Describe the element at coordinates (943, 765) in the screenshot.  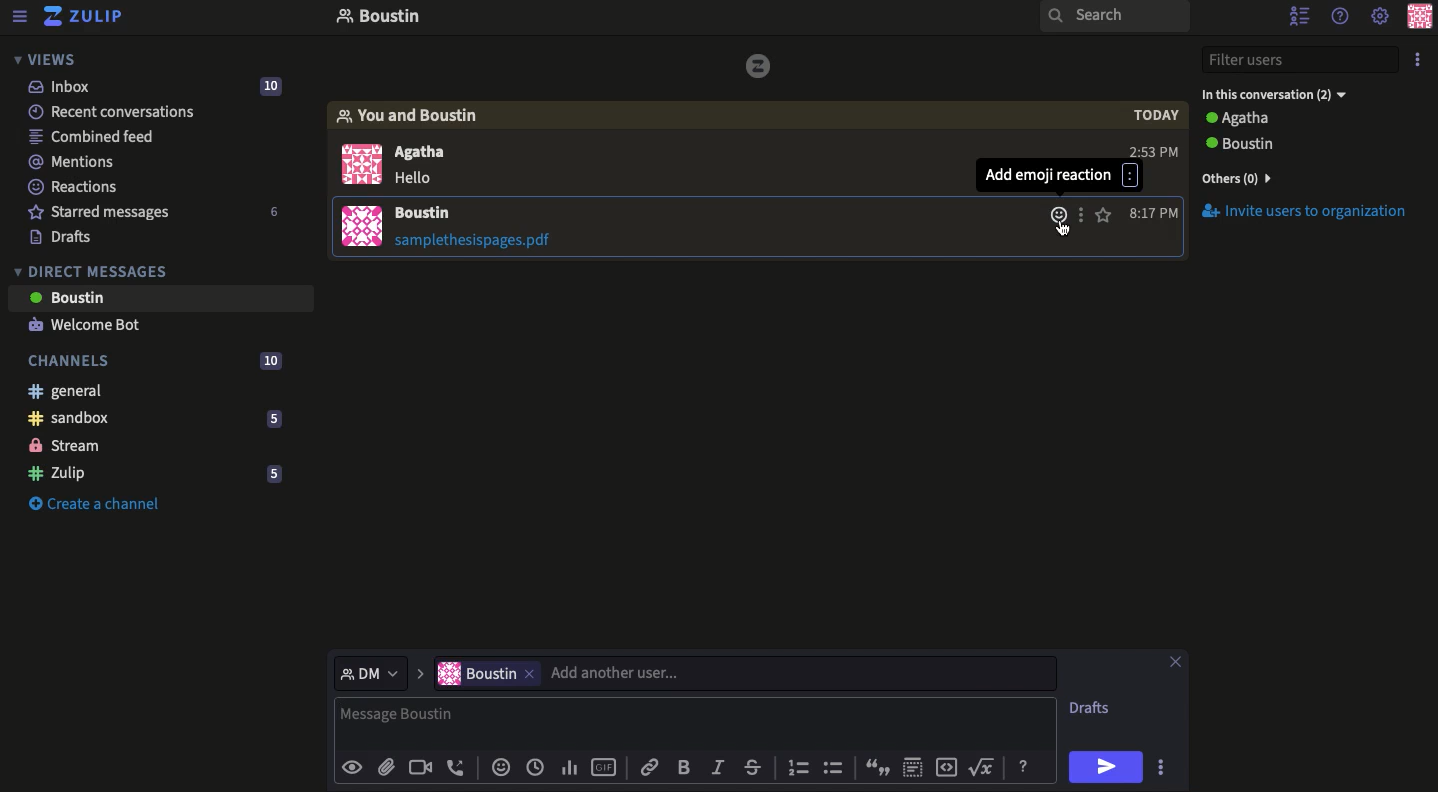
I see `Embed` at that location.